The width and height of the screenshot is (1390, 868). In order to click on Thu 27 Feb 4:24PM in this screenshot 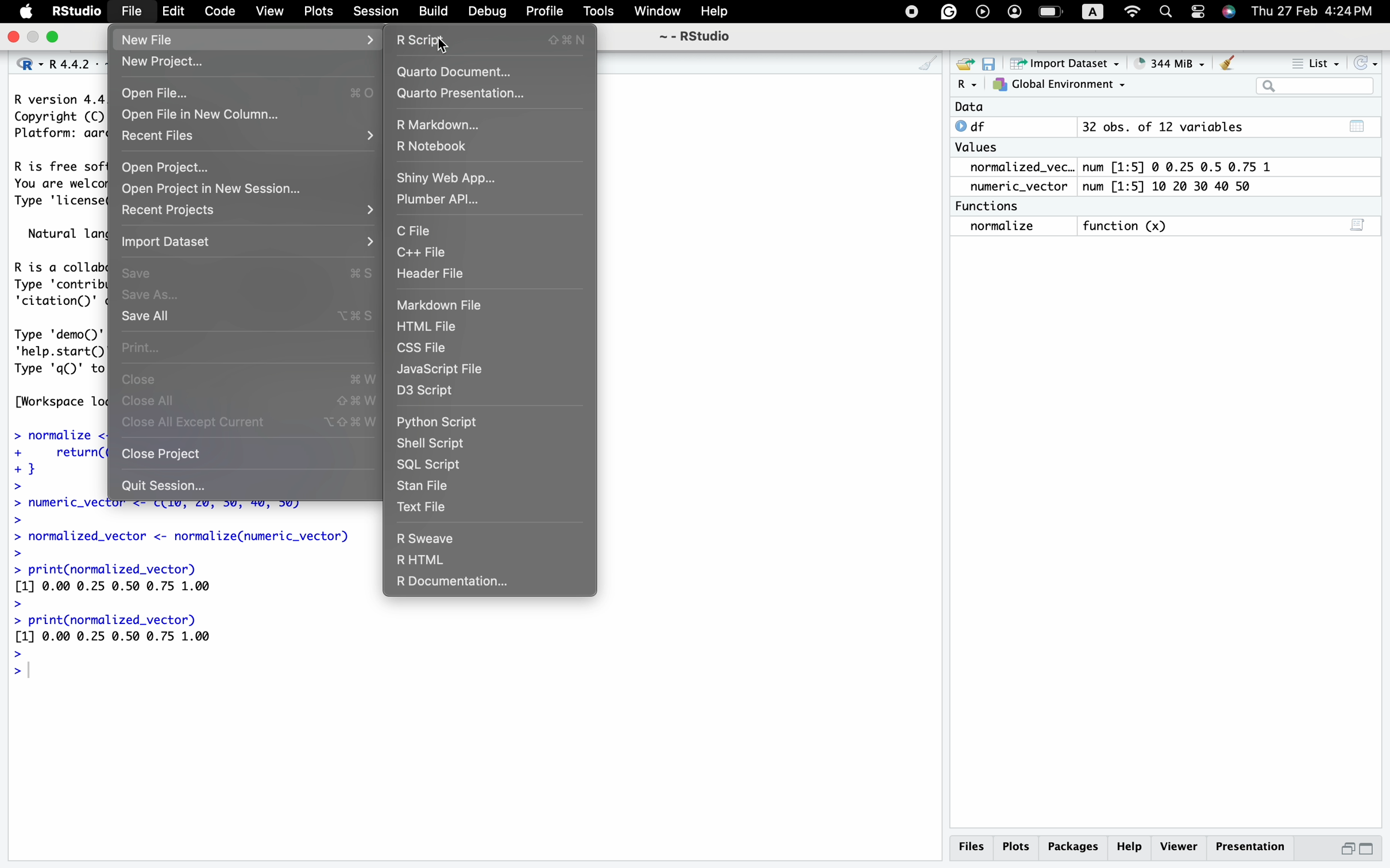, I will do `click(1312, 11)`.